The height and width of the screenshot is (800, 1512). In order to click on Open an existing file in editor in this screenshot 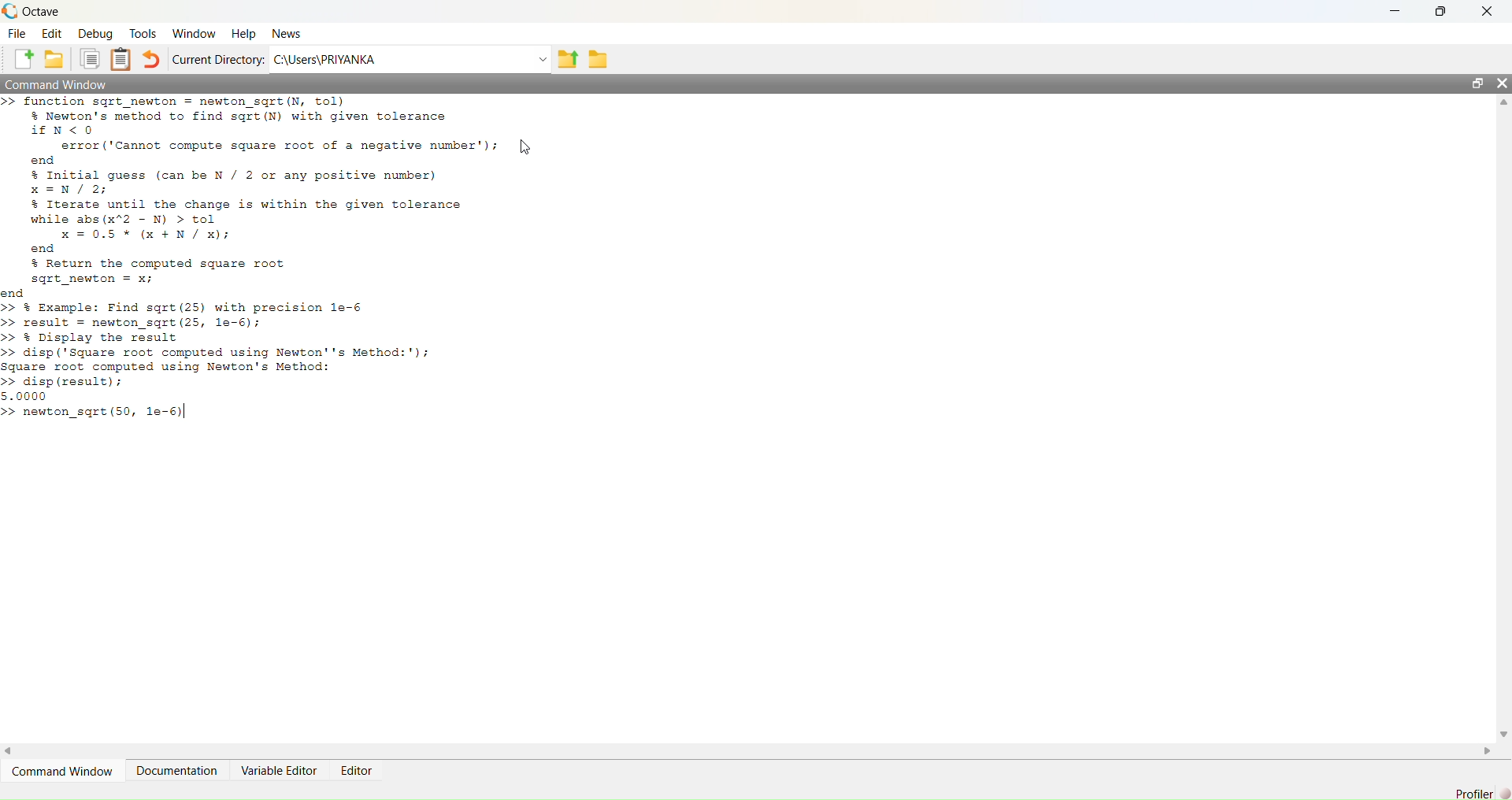, I will do `click(57, 59)`.